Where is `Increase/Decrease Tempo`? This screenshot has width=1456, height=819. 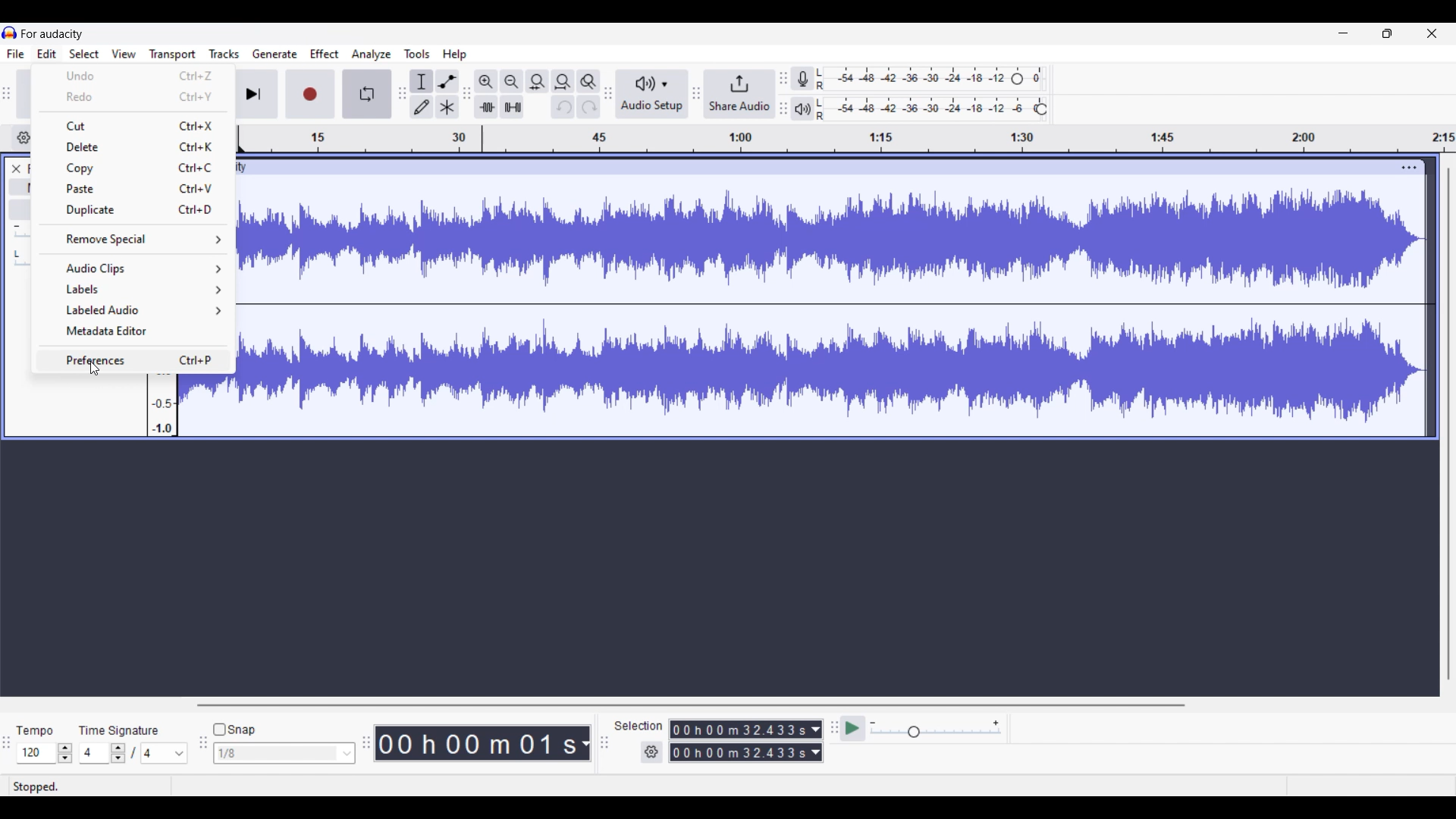
Increase/Decrease Tempo is located at coordinates (65, 753).